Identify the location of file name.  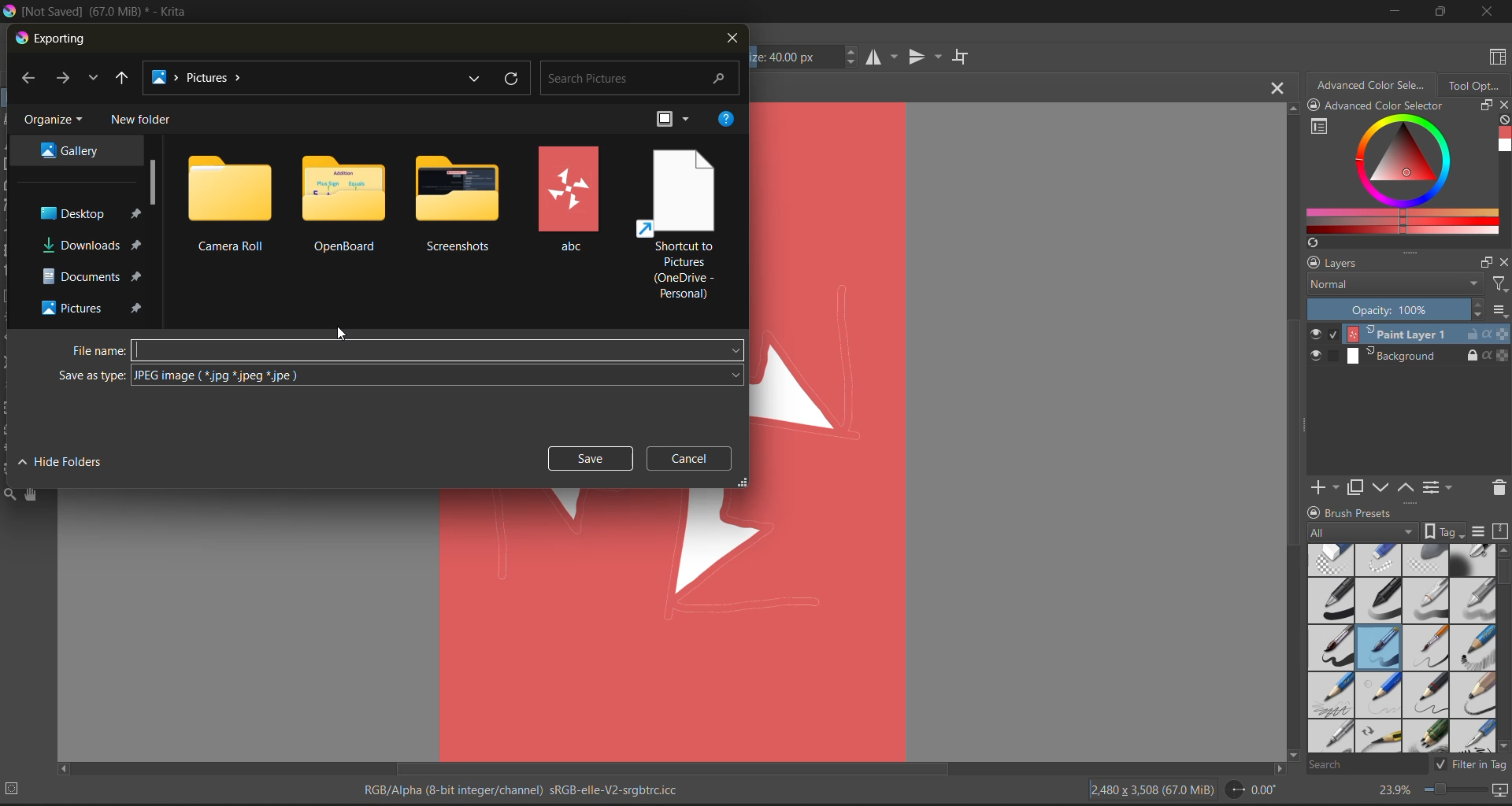
(404, 351).